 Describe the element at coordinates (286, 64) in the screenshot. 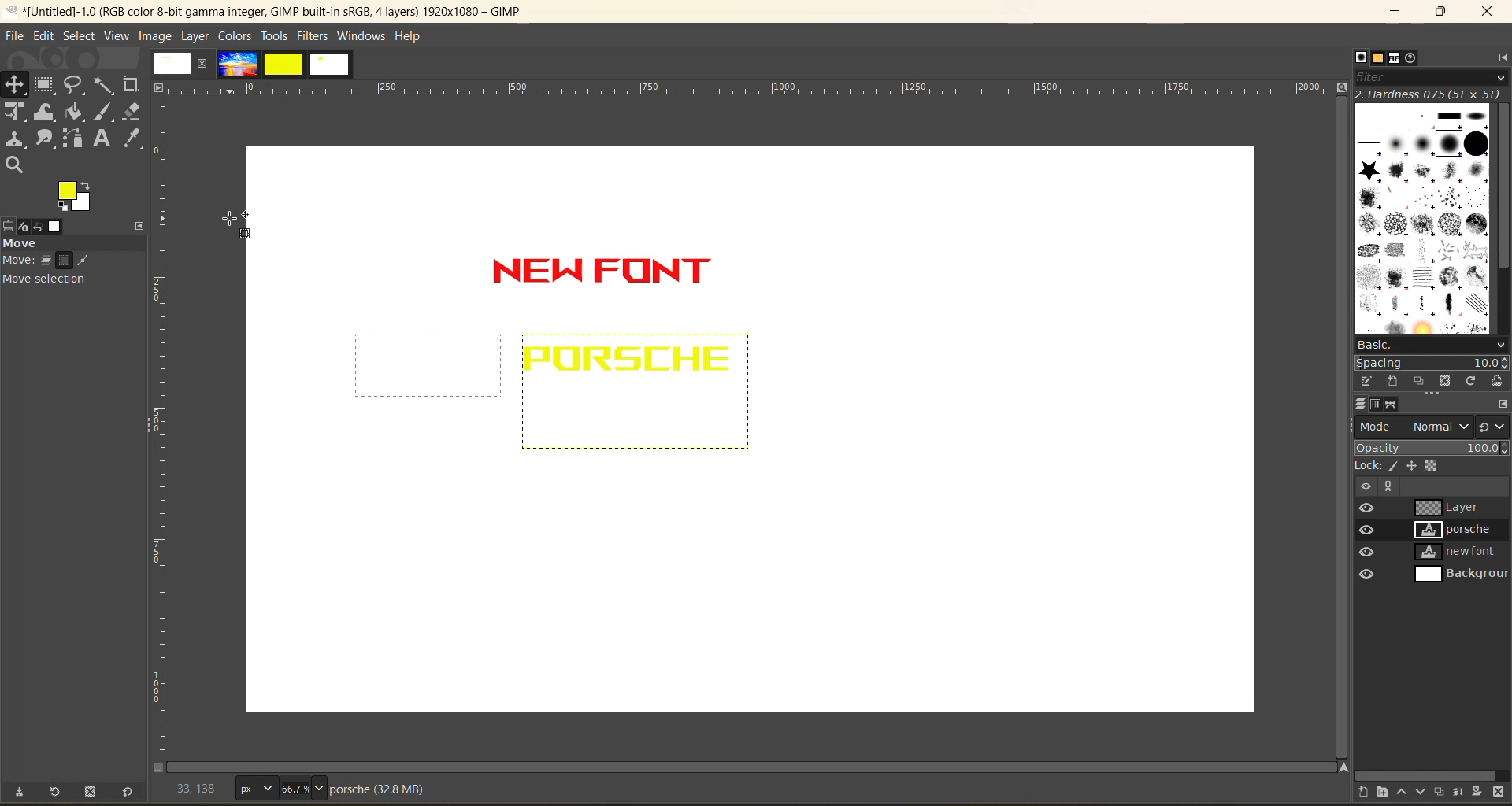

I see `images` at that location.